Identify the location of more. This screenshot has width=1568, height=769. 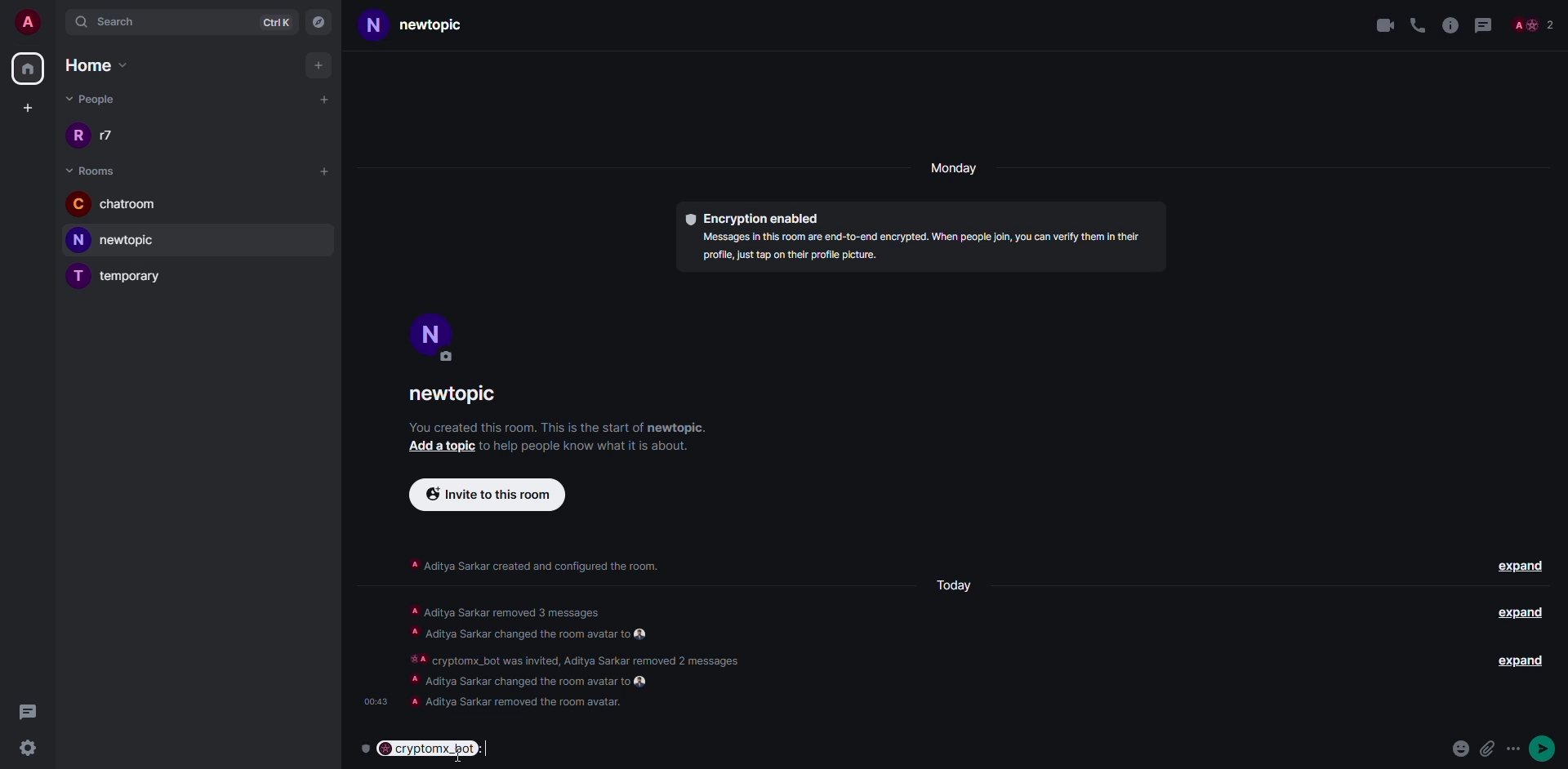
(1550, 751).